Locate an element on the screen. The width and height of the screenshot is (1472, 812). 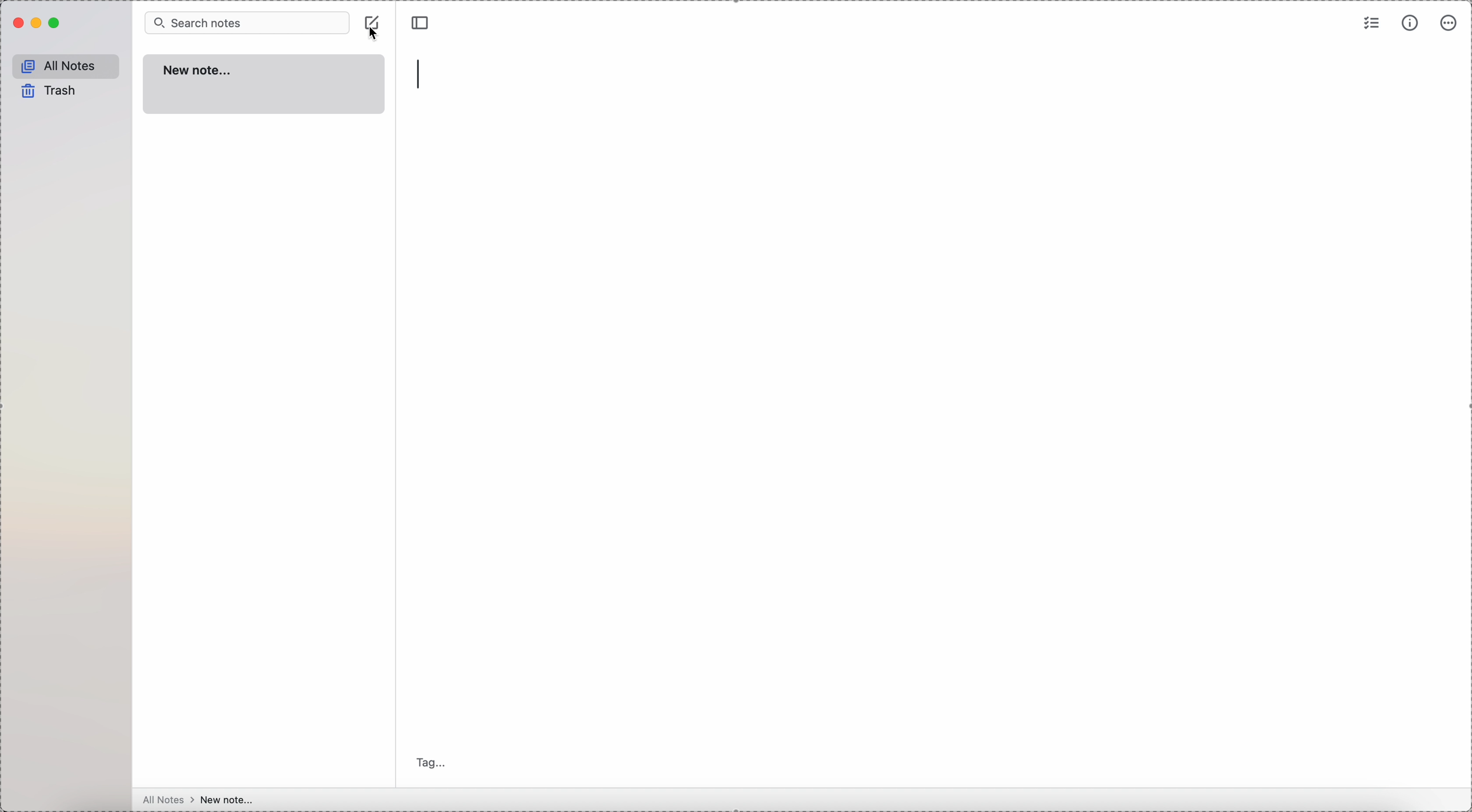
search bar is located at coordinates (246, 24).